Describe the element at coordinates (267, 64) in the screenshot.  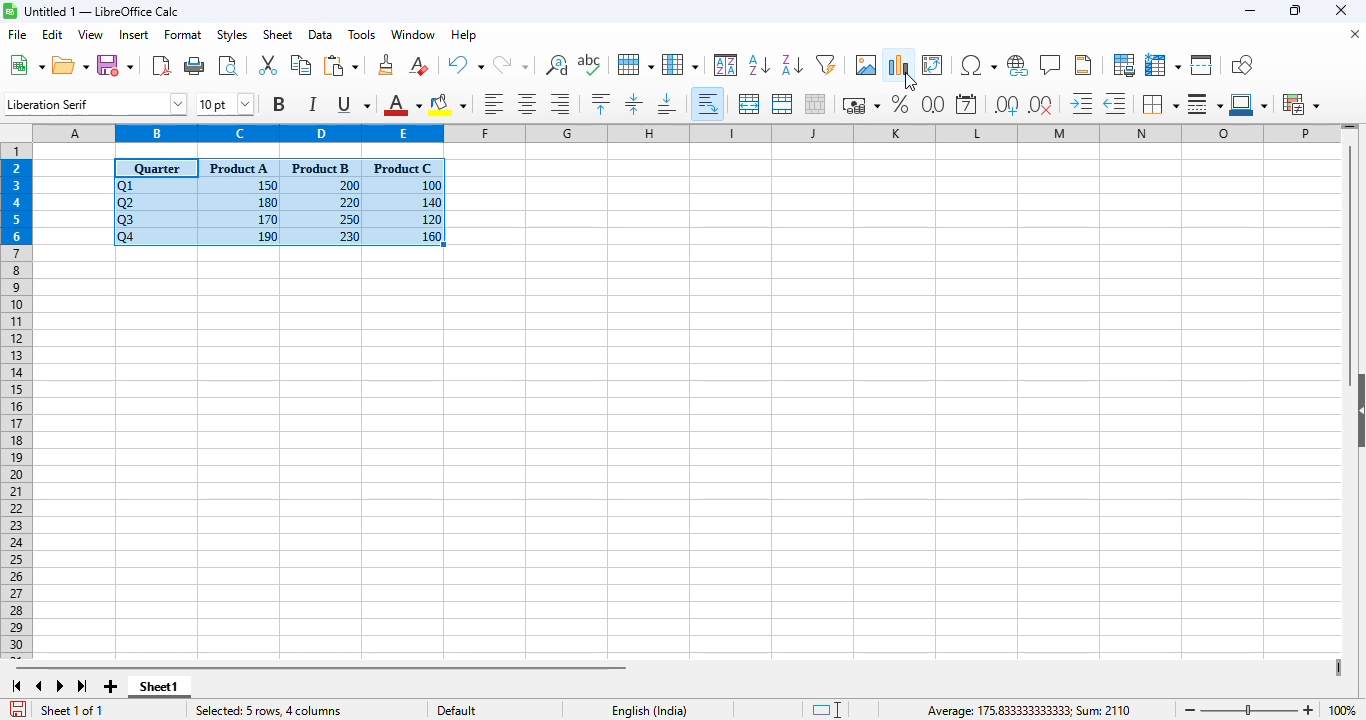
I see `cut` at that location.